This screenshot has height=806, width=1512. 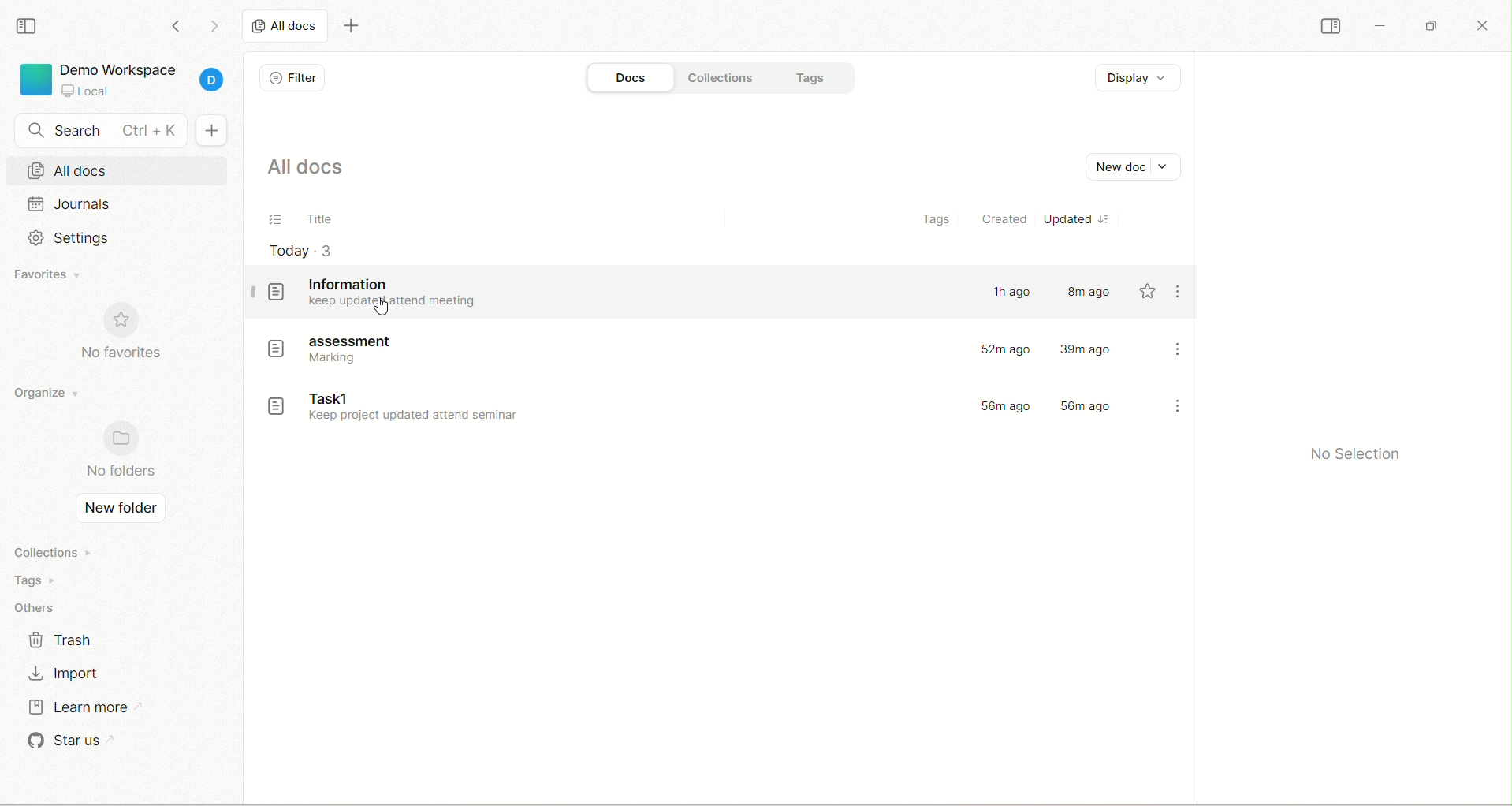 What do you see at coordinates (1330, 25) in the screenshot?
I see `collapse sidebar` at bounding box center [1330, 25].